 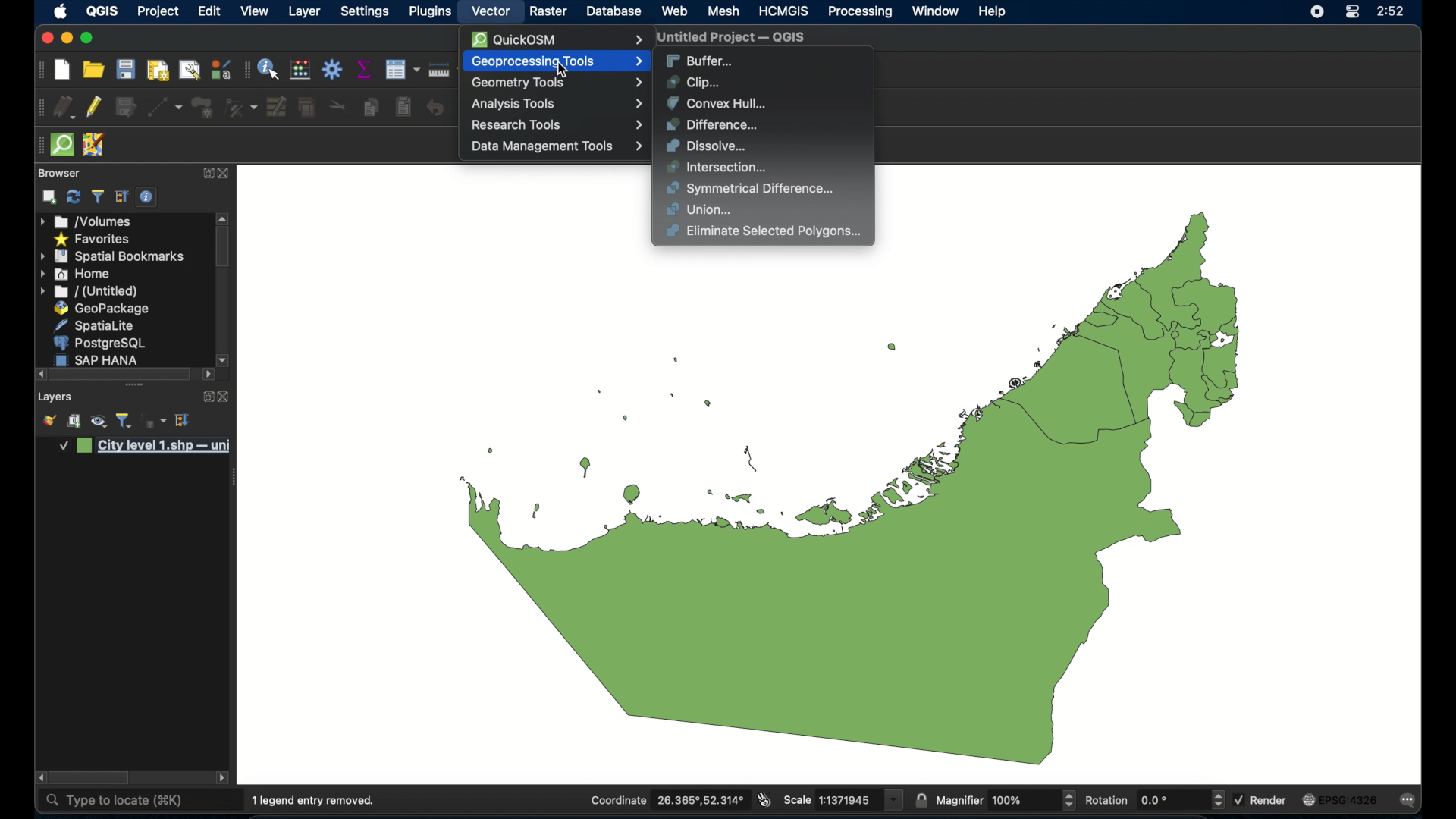 What do you see at coordinates (667, 800) in the screenshot?
I see `coordinate` at bounding box center [667, 800].